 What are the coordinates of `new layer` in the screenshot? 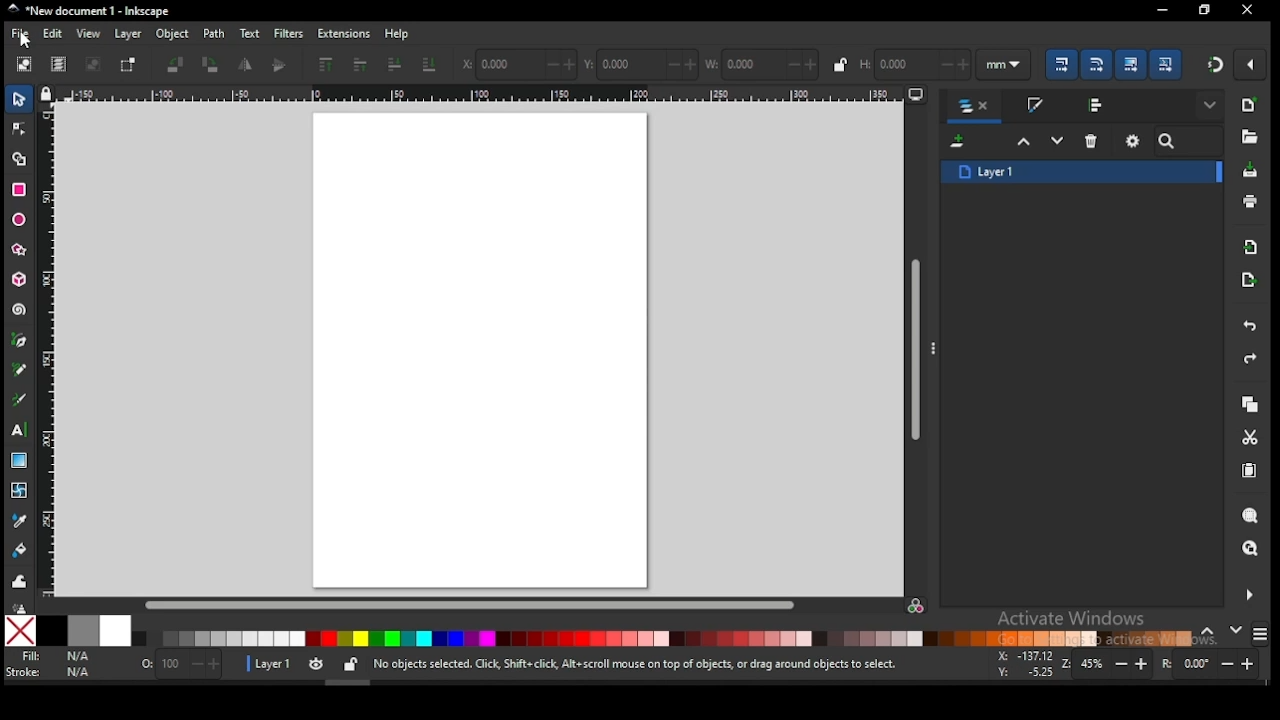 It's located at (960, 143).